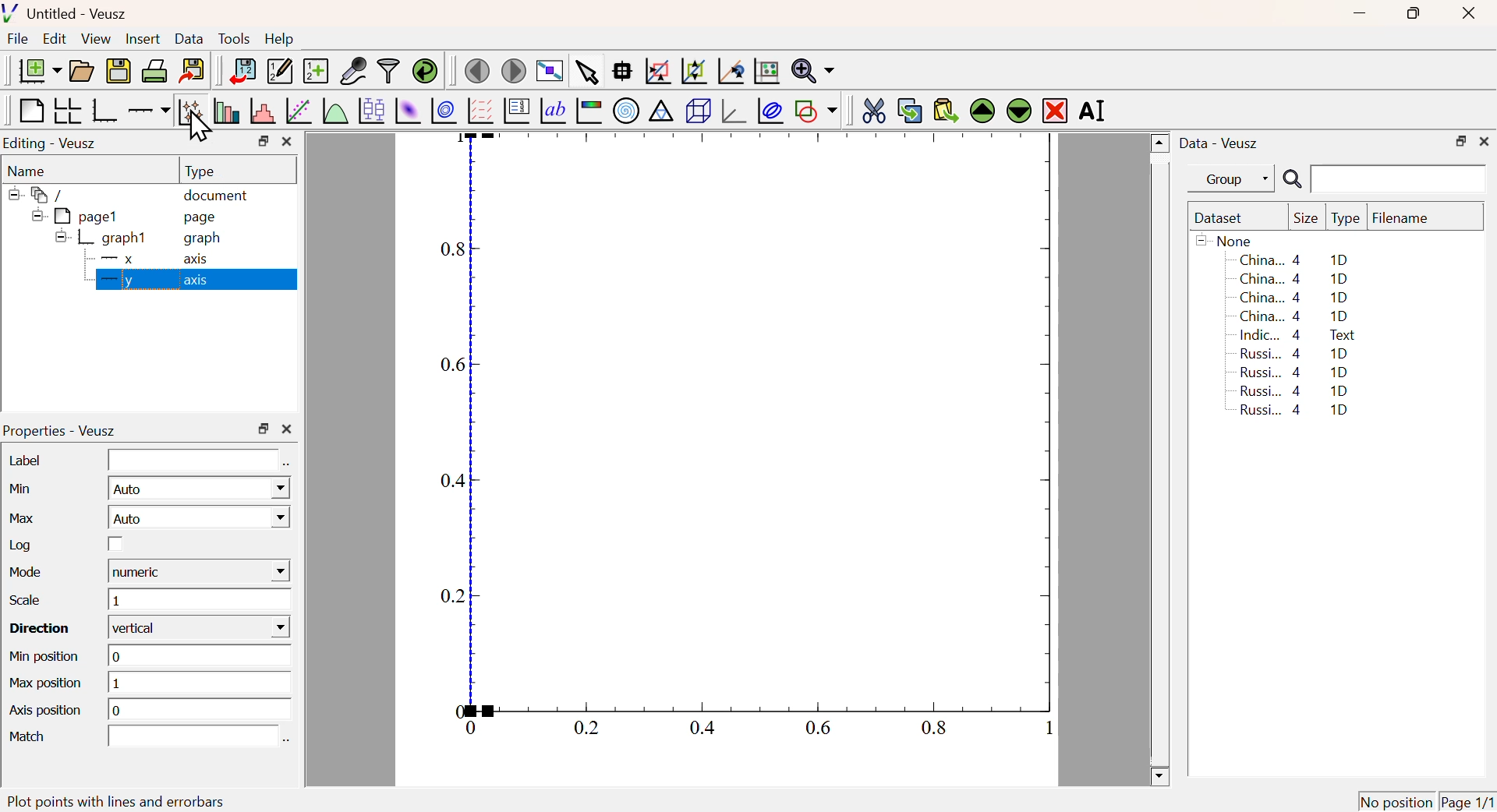 This screenshot has height=812, width=1497. Describe the element at coordinates (333, 111) in the screenshot. I see `Plot a function` at that location.